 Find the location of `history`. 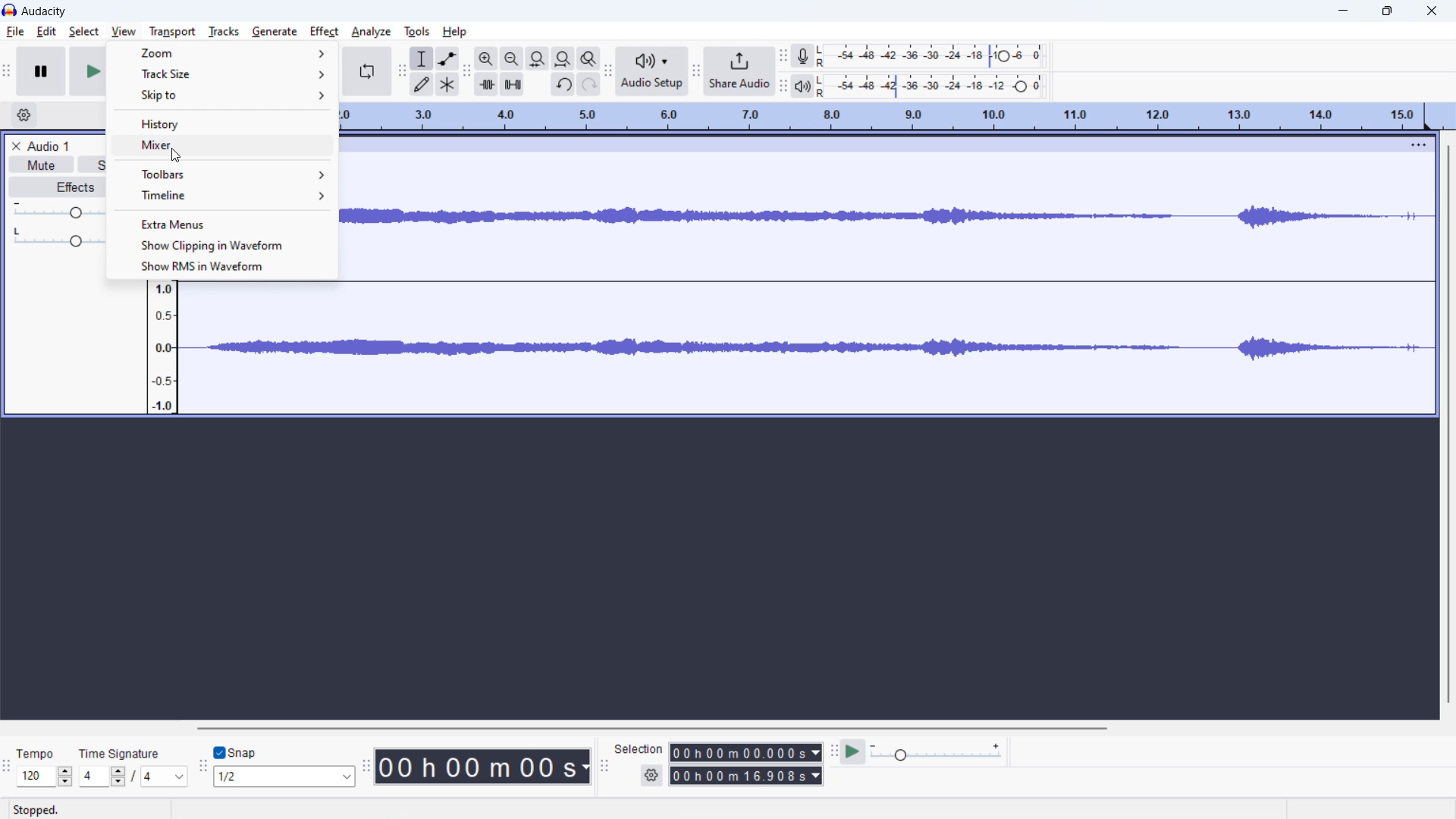

history is located at coordinates (223, 124).